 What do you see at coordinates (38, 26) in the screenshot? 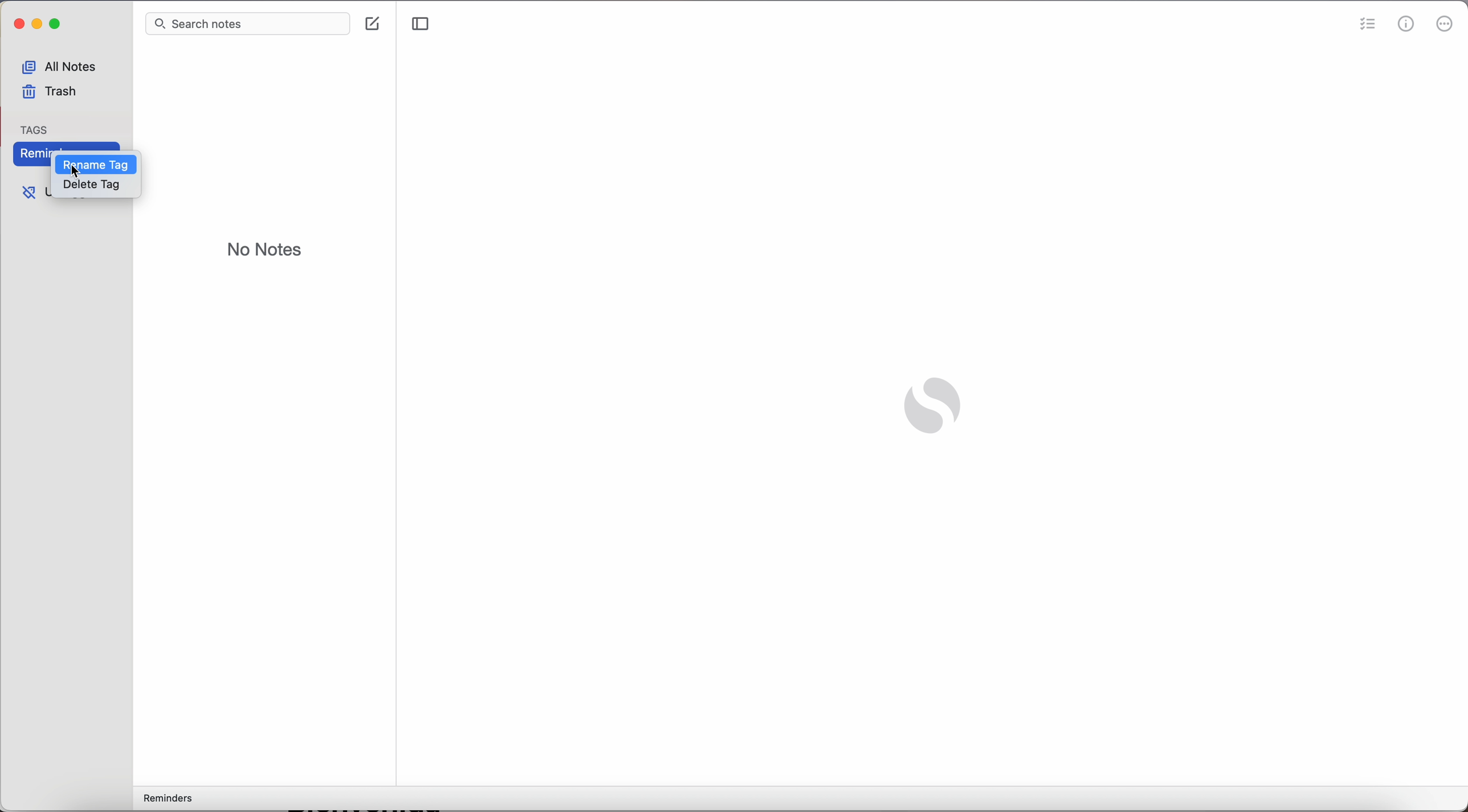
I see `minimize Simplenote` at bounding box center [38, 26].